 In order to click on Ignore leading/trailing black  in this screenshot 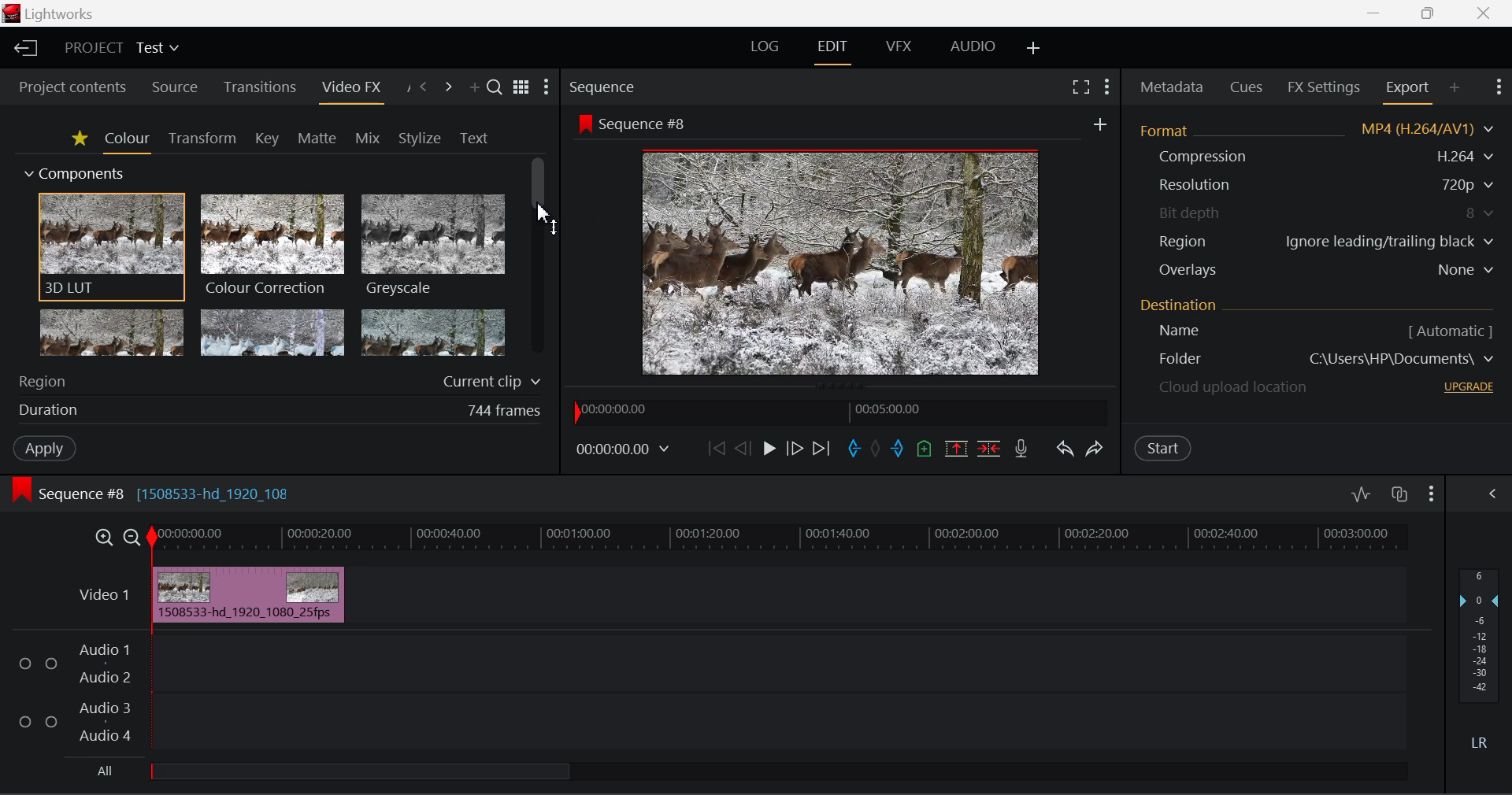, I will do `click(1388, 242)`.